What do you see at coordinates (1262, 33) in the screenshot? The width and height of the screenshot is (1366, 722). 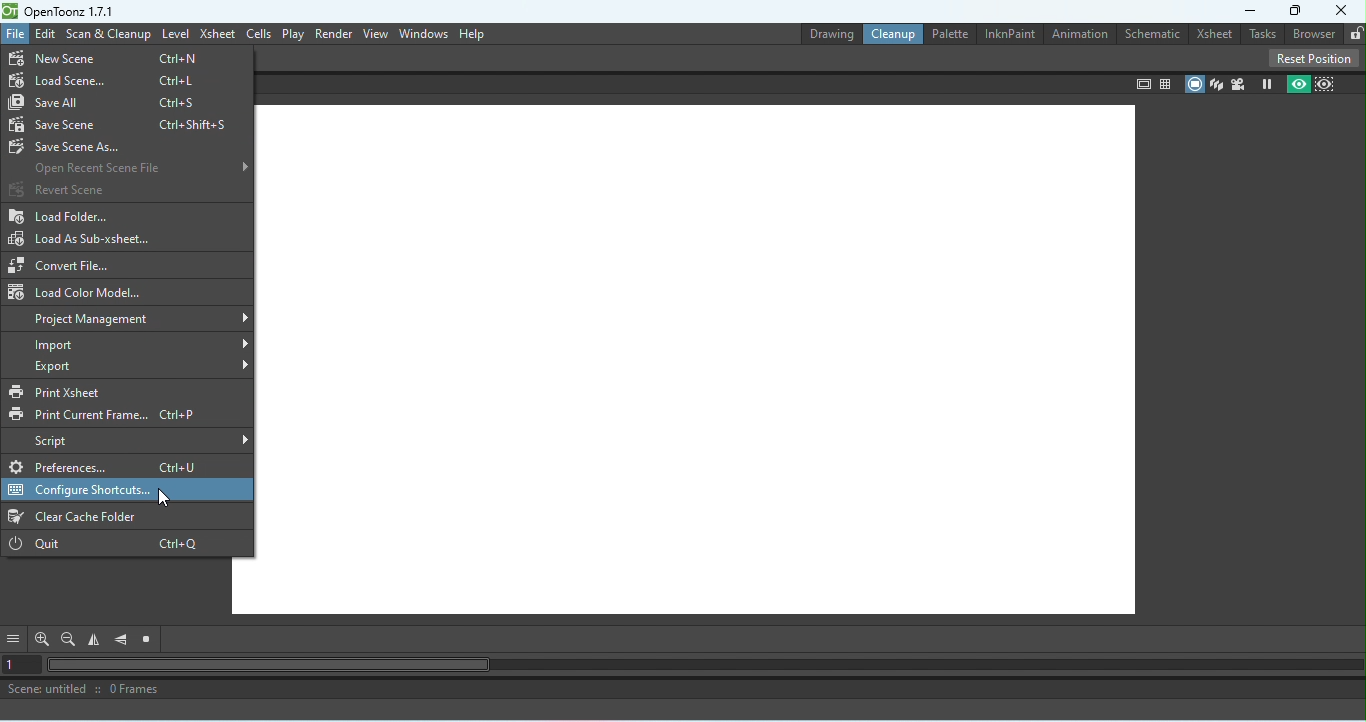 I see `Tasks` at bounding box center [1262, 33].